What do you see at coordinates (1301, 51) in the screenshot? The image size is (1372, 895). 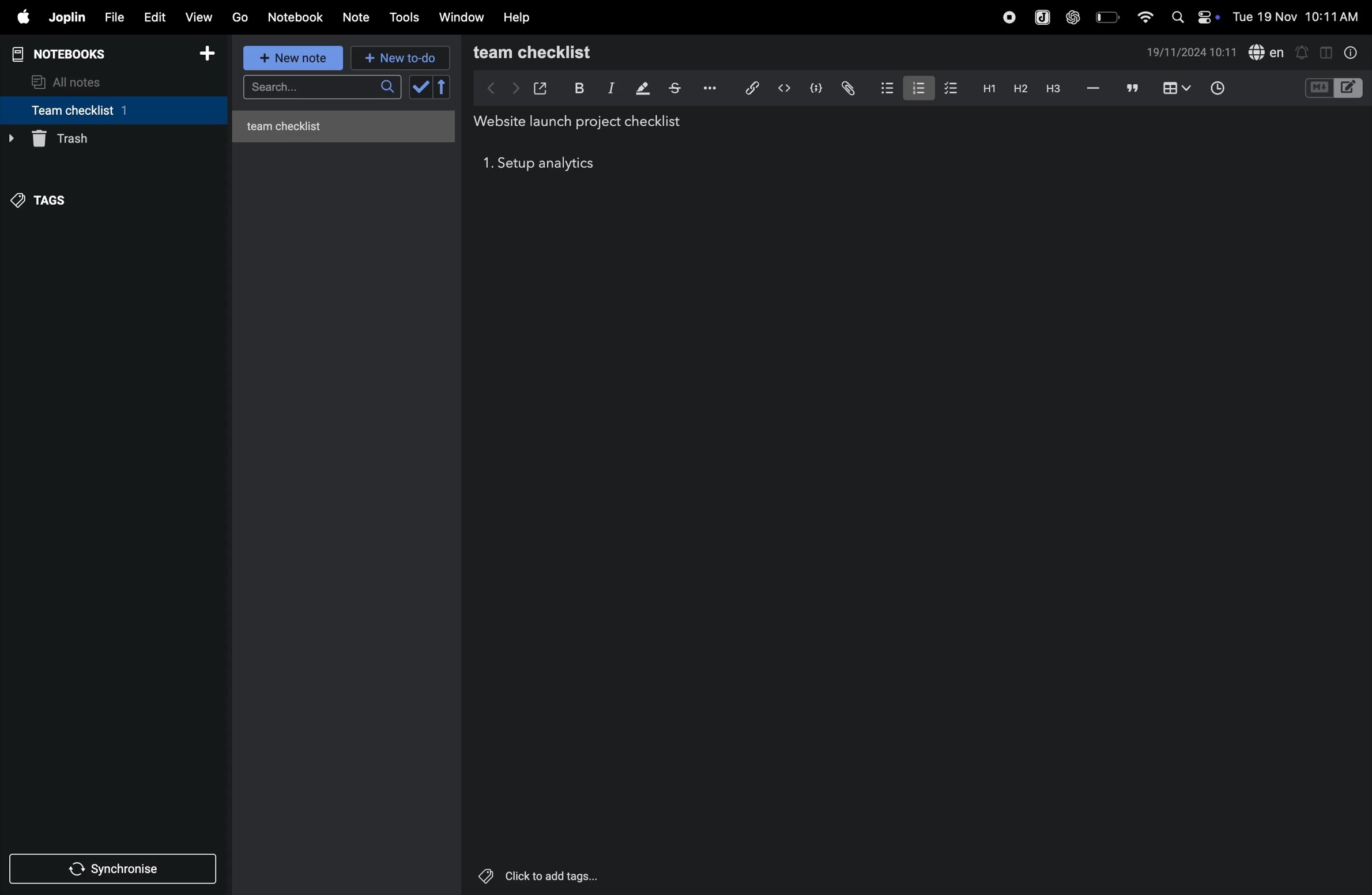 I see `` at bounding box center [1301, 51].